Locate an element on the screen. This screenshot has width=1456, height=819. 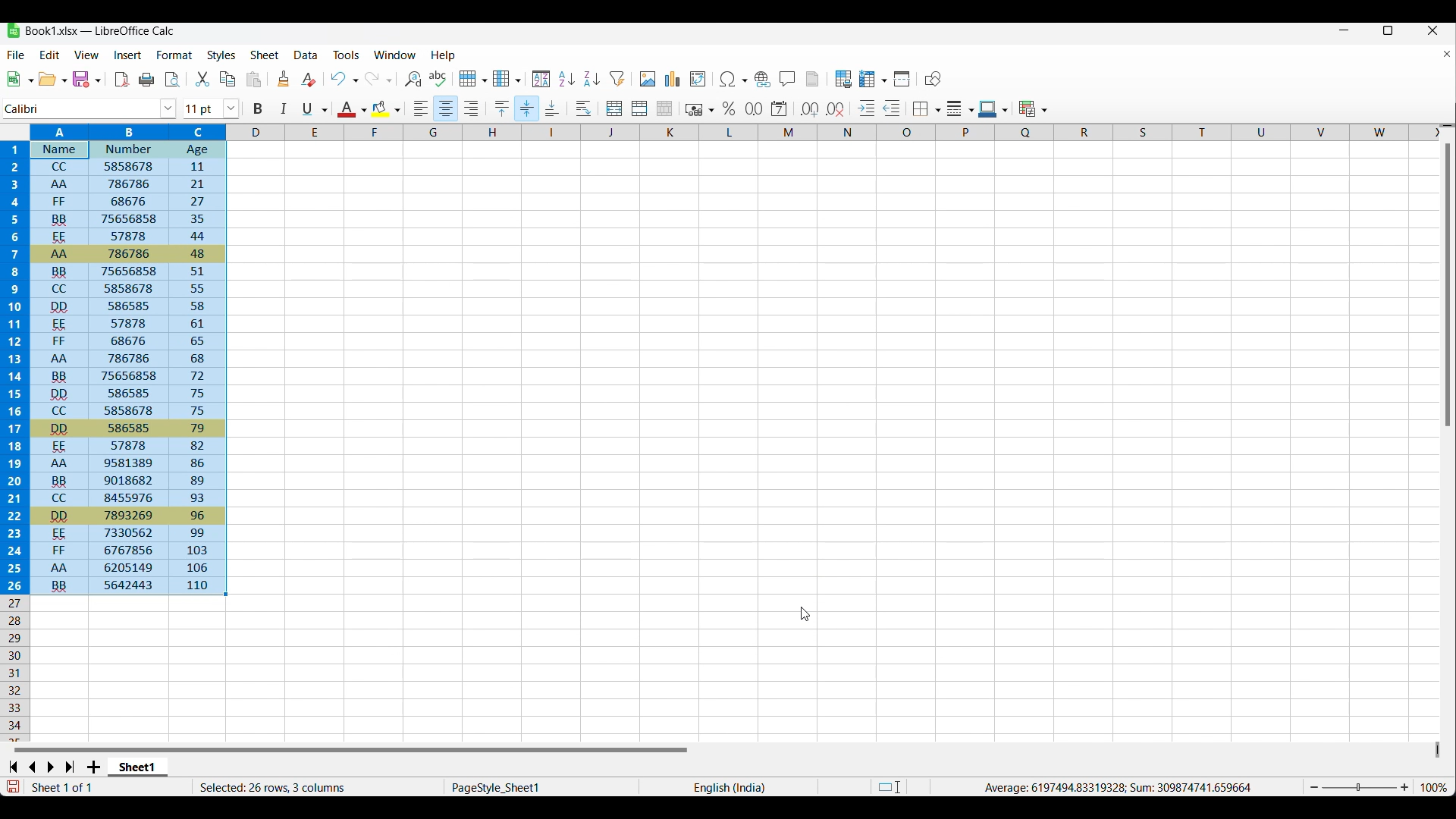
Current highlighted color and other options is located at coordinates (385, 109).